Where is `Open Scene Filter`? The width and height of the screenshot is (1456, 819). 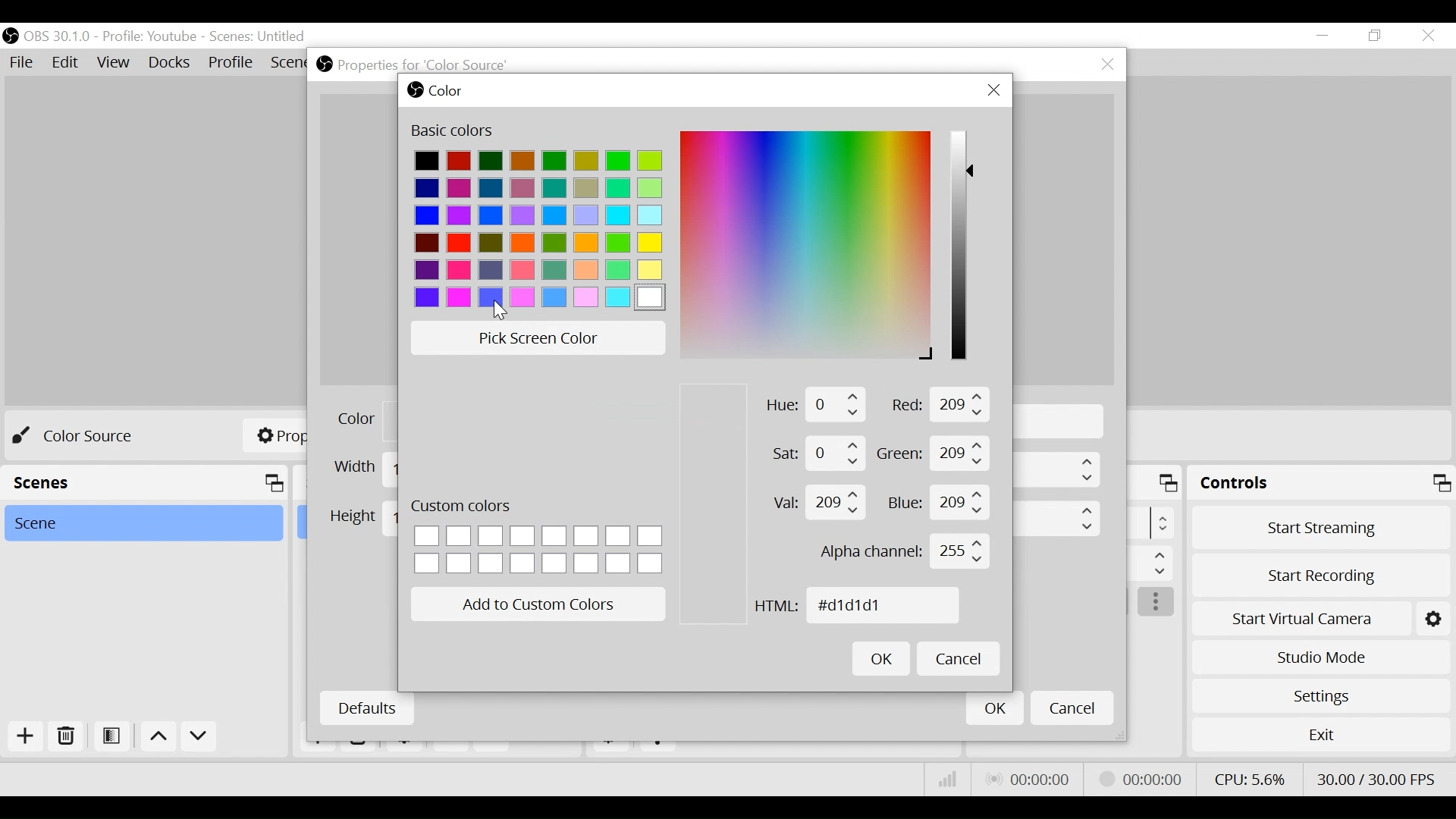 Open Scene Filter is located at coordinates (110, 734).